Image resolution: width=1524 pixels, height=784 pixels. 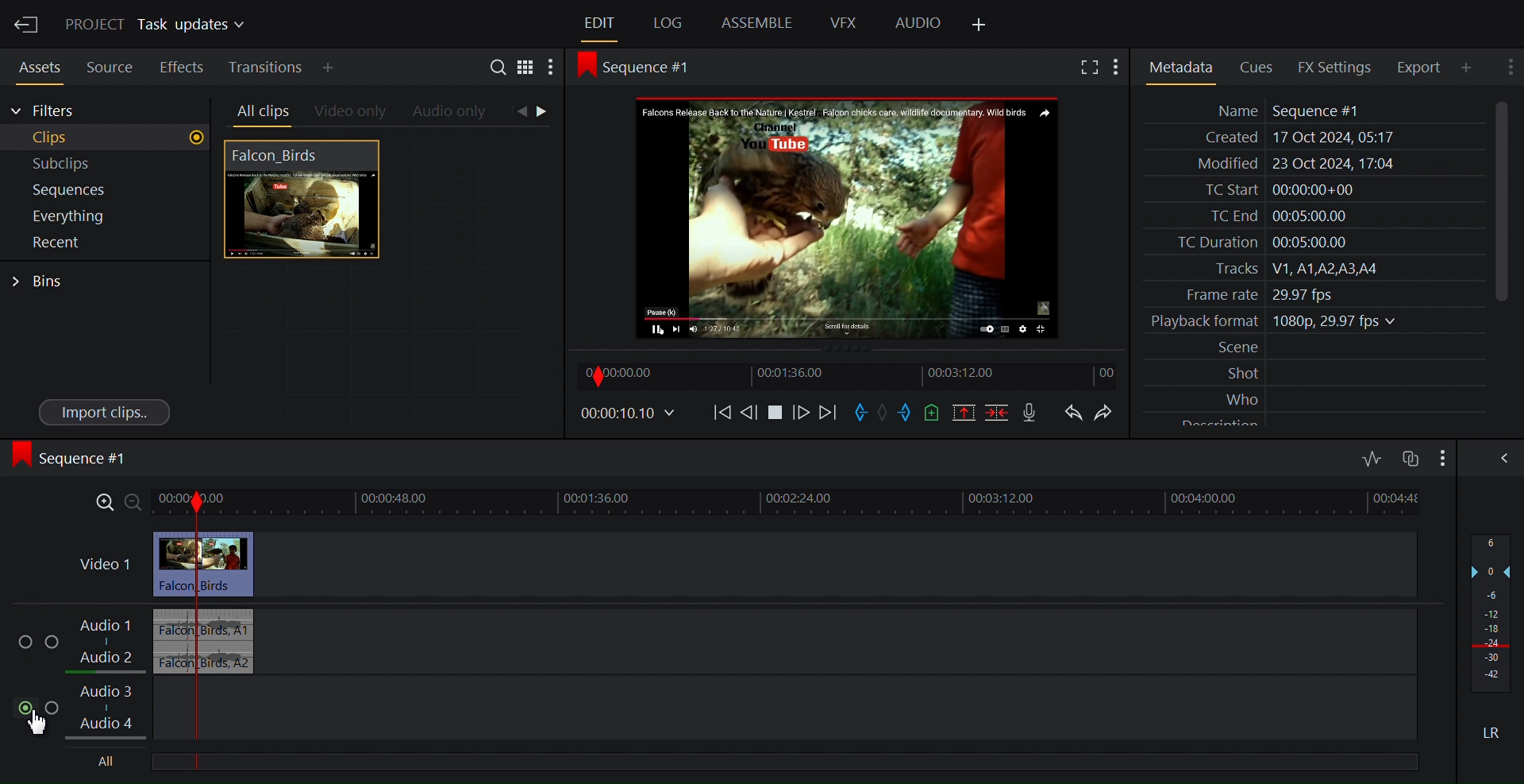 I want to click on Import clips, so click(x=106, y=411).